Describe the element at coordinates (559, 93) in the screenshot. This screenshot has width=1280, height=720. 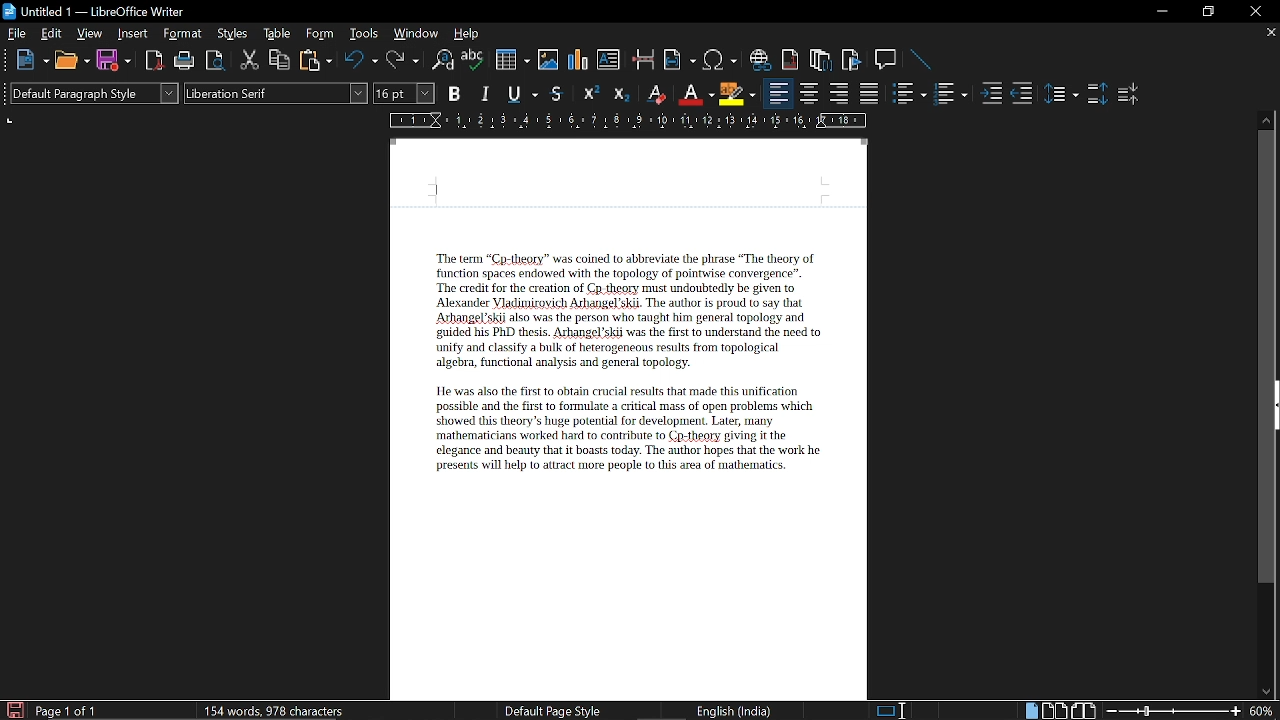
I see `Strike through` at that location.